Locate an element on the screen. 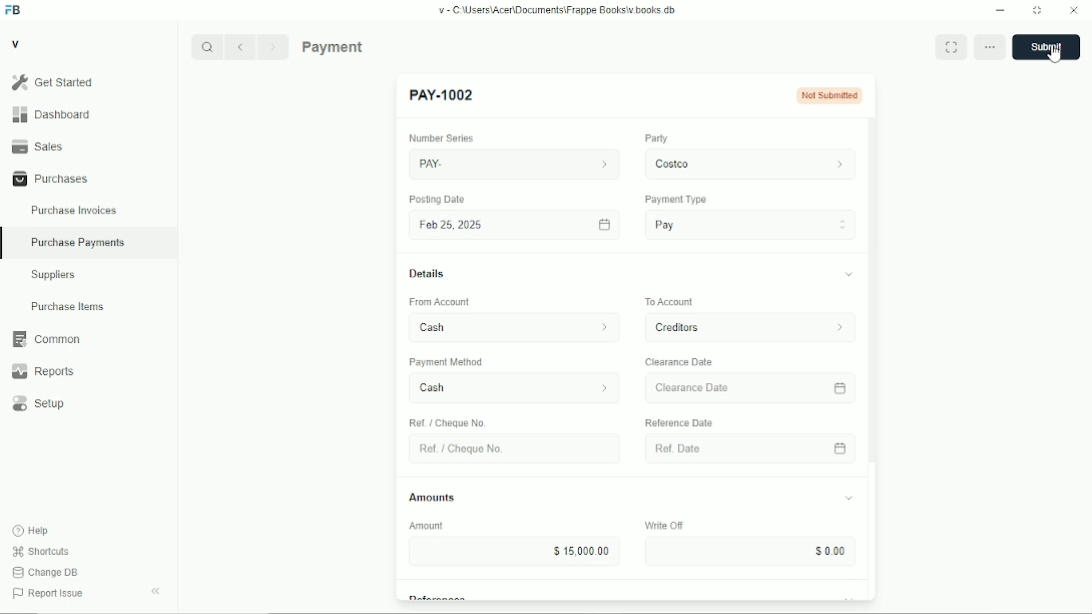 Image resolution: width=1092 pixels, height=614 pixels. Amounts is located at coordinates (432, 497).